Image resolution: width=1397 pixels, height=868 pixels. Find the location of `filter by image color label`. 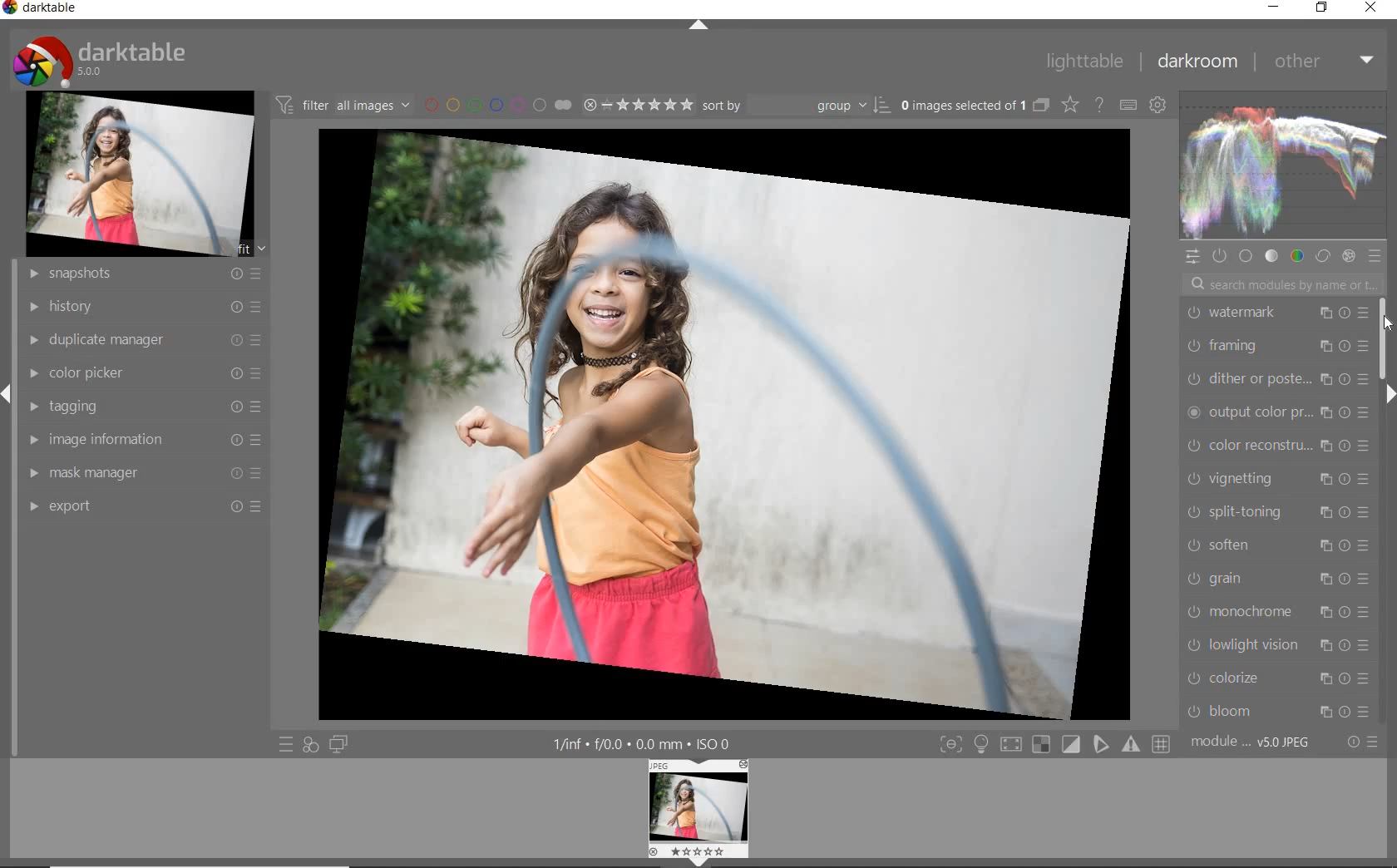

filter by image color label is located at coordinates (497, 104).